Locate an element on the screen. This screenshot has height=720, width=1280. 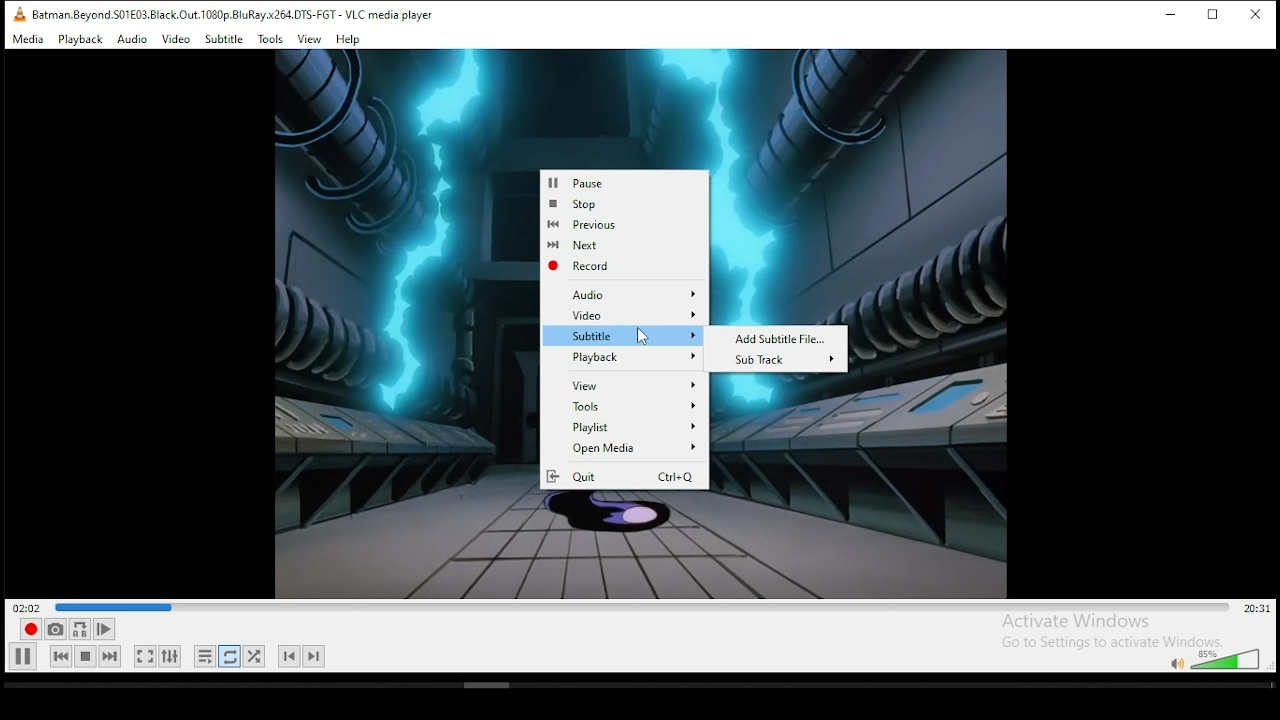
audio is located at coordinates (133, 40).